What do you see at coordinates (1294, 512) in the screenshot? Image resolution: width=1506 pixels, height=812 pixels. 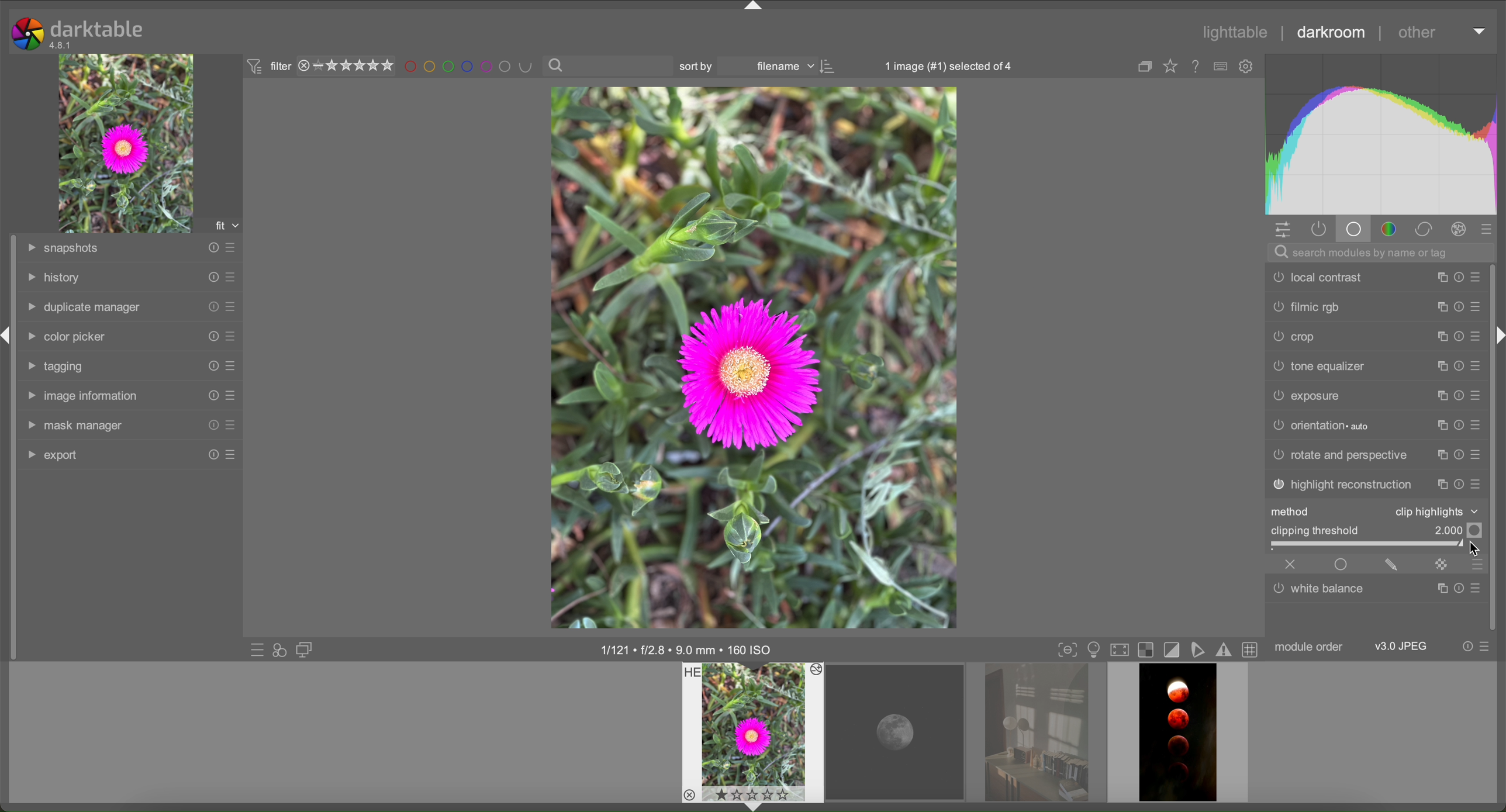 I see `method` at bounding box center [1294, 512].